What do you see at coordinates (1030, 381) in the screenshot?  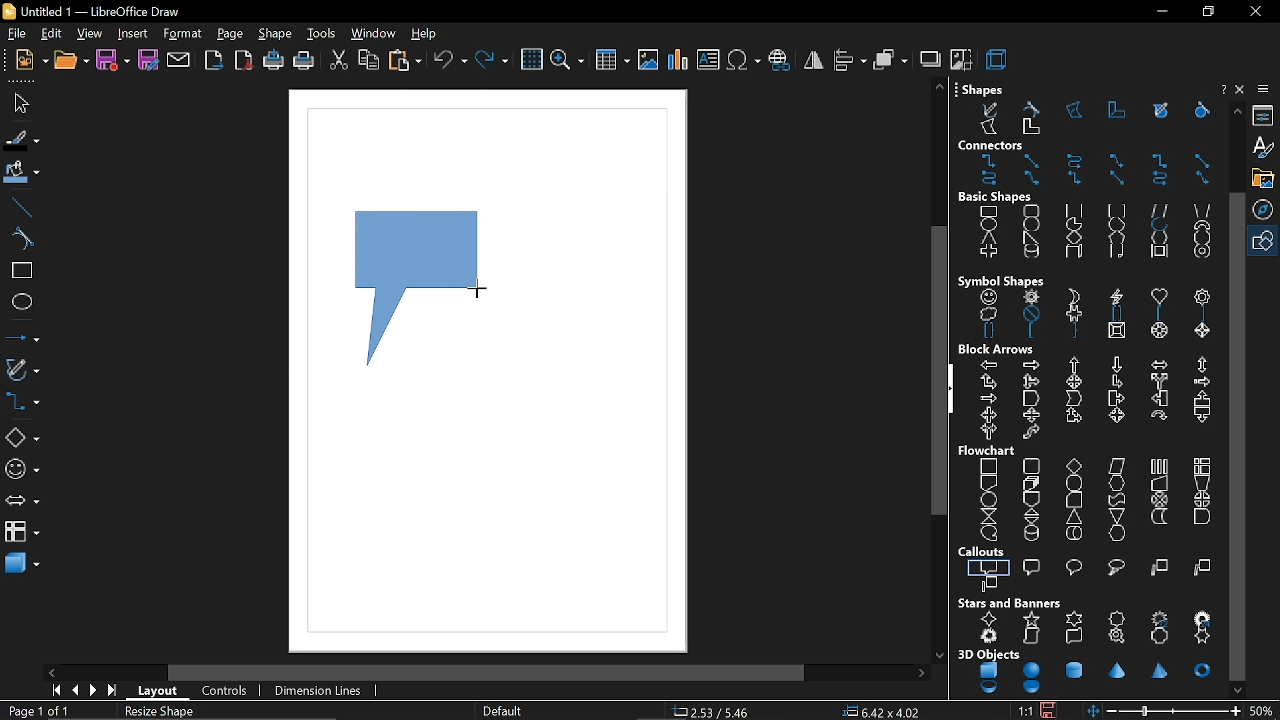 I see `up, right and down arrow` at bounding box center [1030, 381].